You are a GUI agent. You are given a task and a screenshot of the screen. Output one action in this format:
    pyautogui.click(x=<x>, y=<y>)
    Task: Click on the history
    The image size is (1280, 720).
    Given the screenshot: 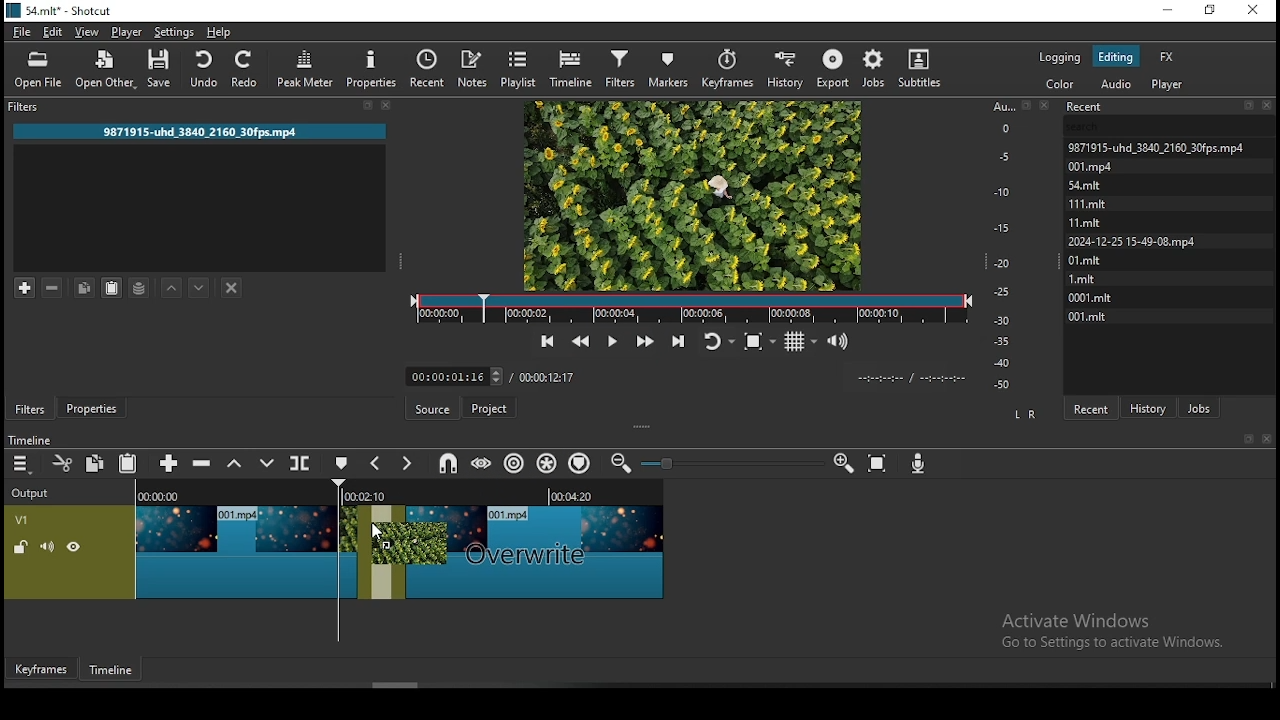 What is the action you would take?
    pyautogui.click(x=1150, y=407)
    